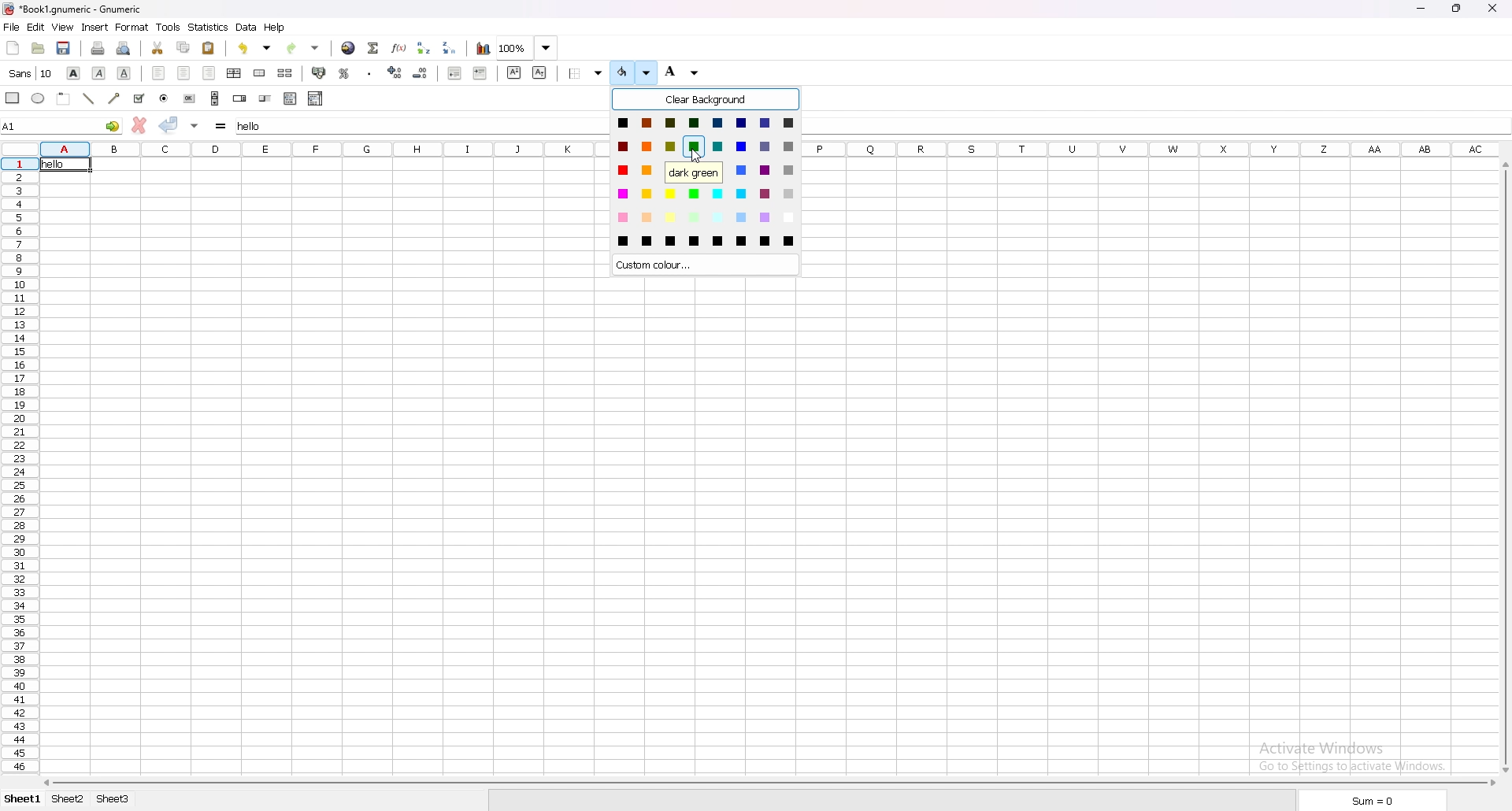  I want to click on increase decimals, so click(396, 72).